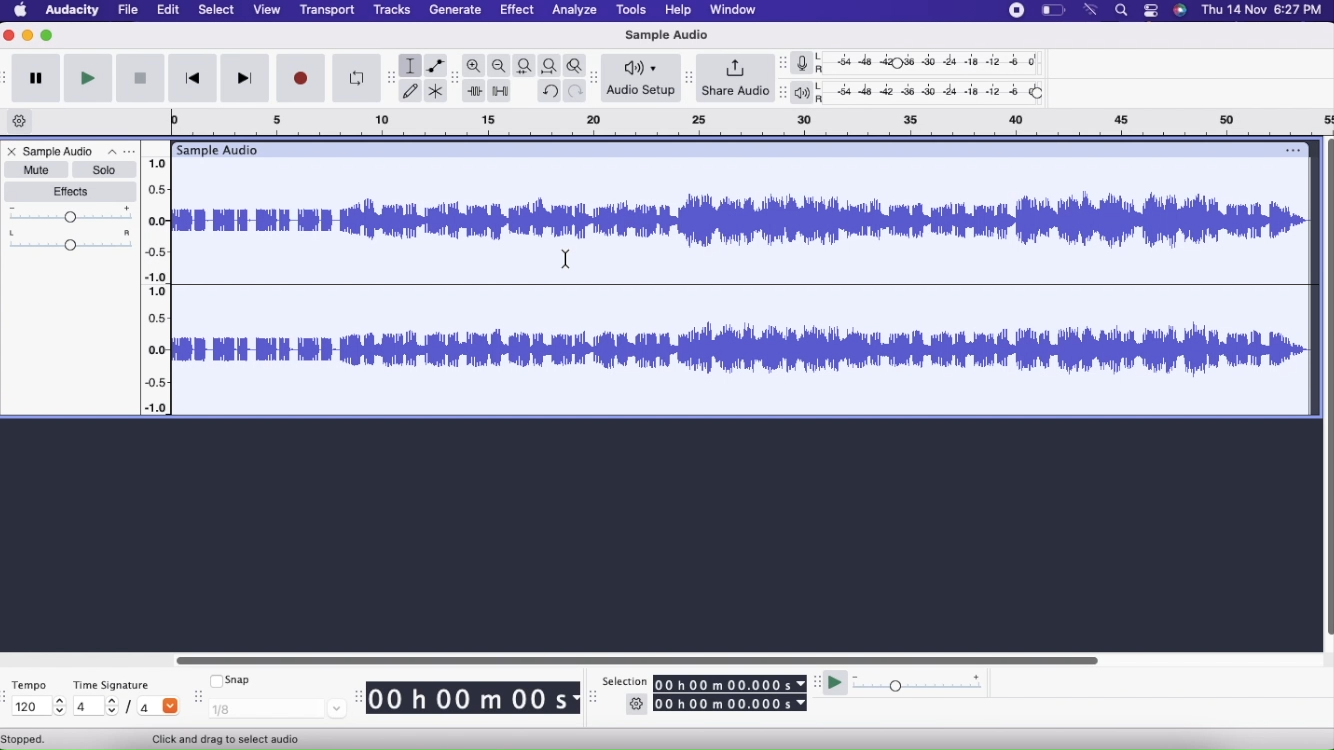  What do you see at coordinates (834, 682) in the screenshot?
I see `Play at speed` at bounding box center [834, 682].